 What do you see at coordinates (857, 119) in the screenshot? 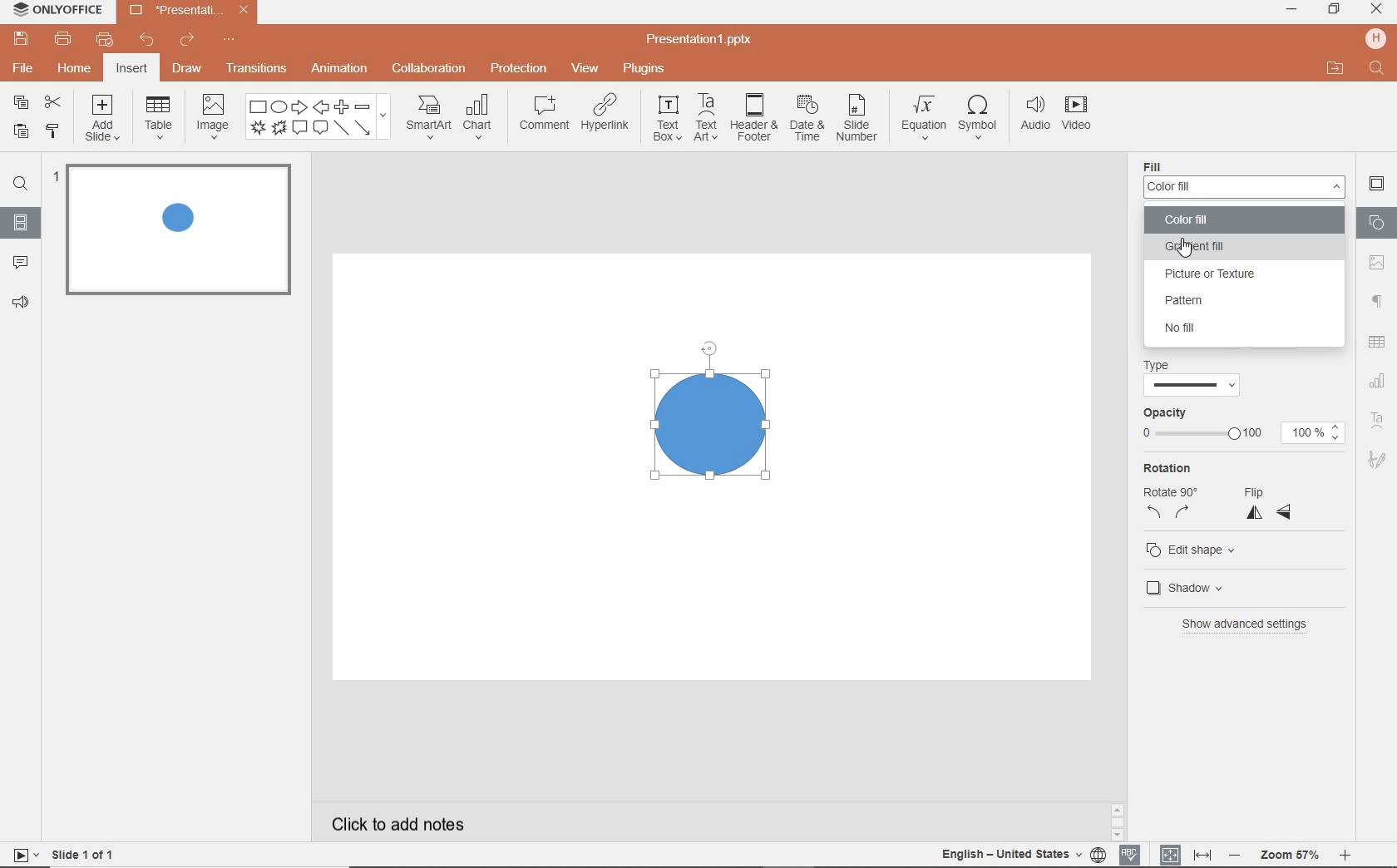
I see `slide number` at bounding box center [857, 119].